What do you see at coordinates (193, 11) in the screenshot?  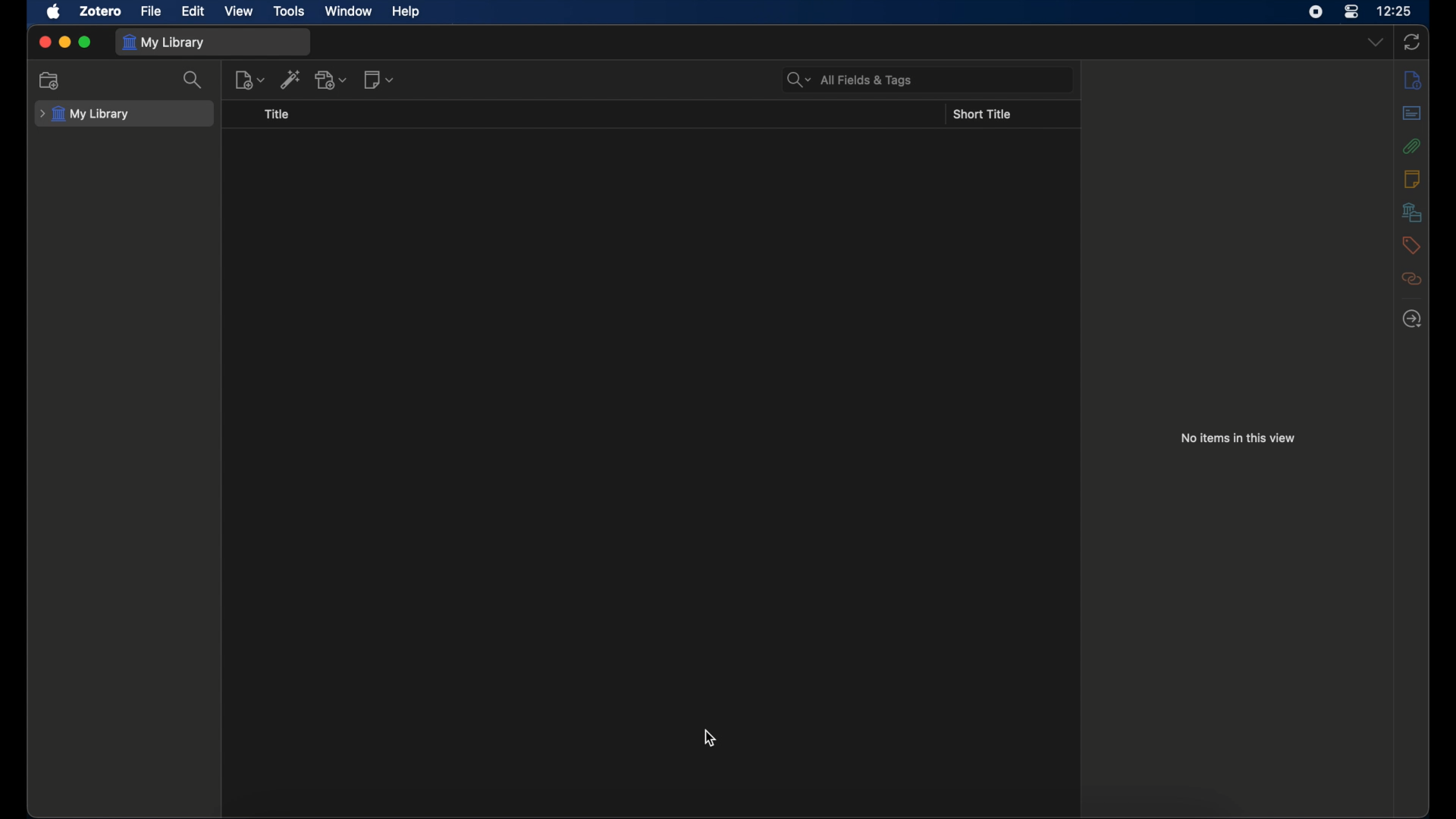 I see `edit` at bounding box center [193, 11].